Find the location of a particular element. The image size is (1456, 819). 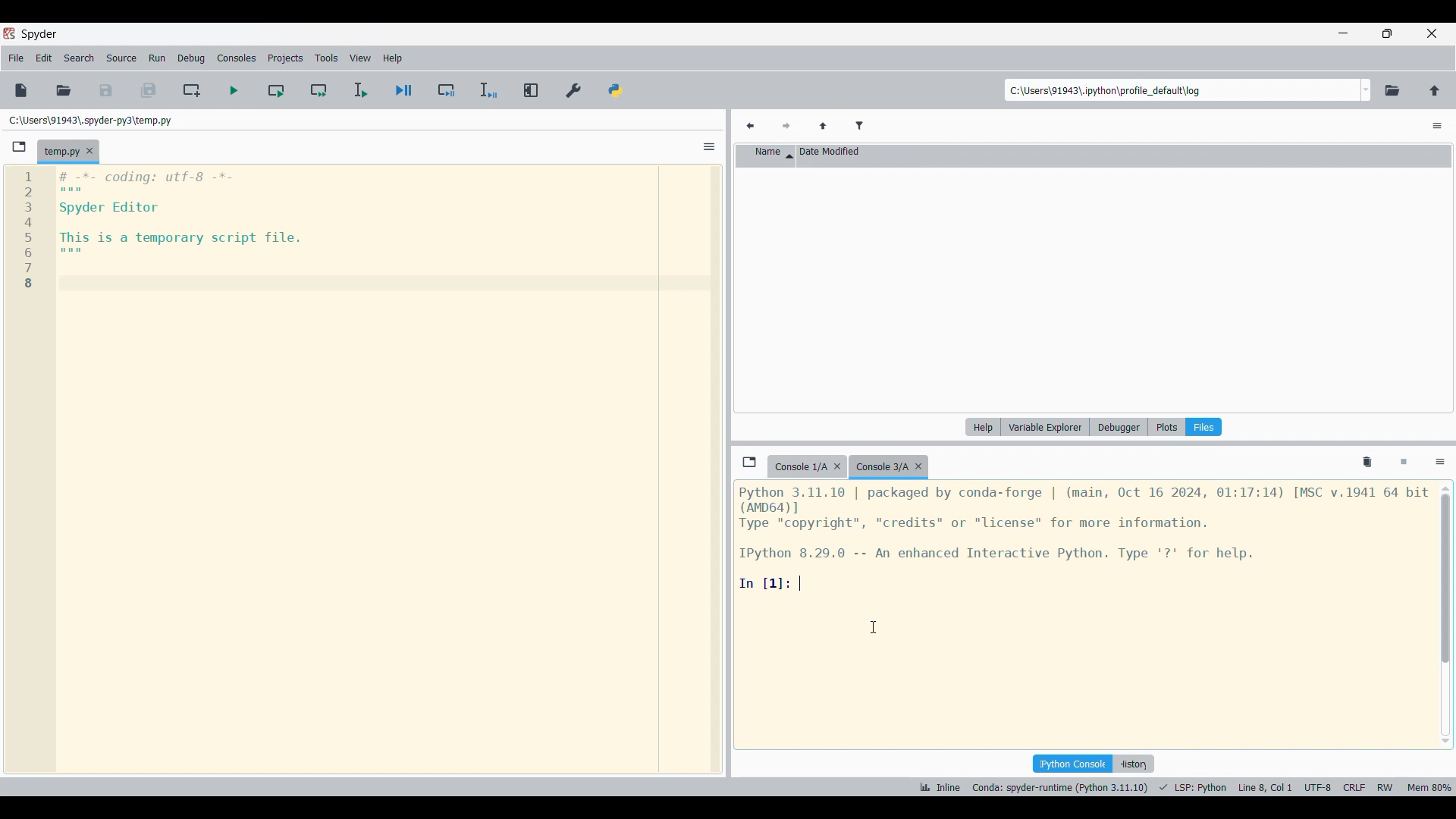

Open file is located at coordinates (64, 91).